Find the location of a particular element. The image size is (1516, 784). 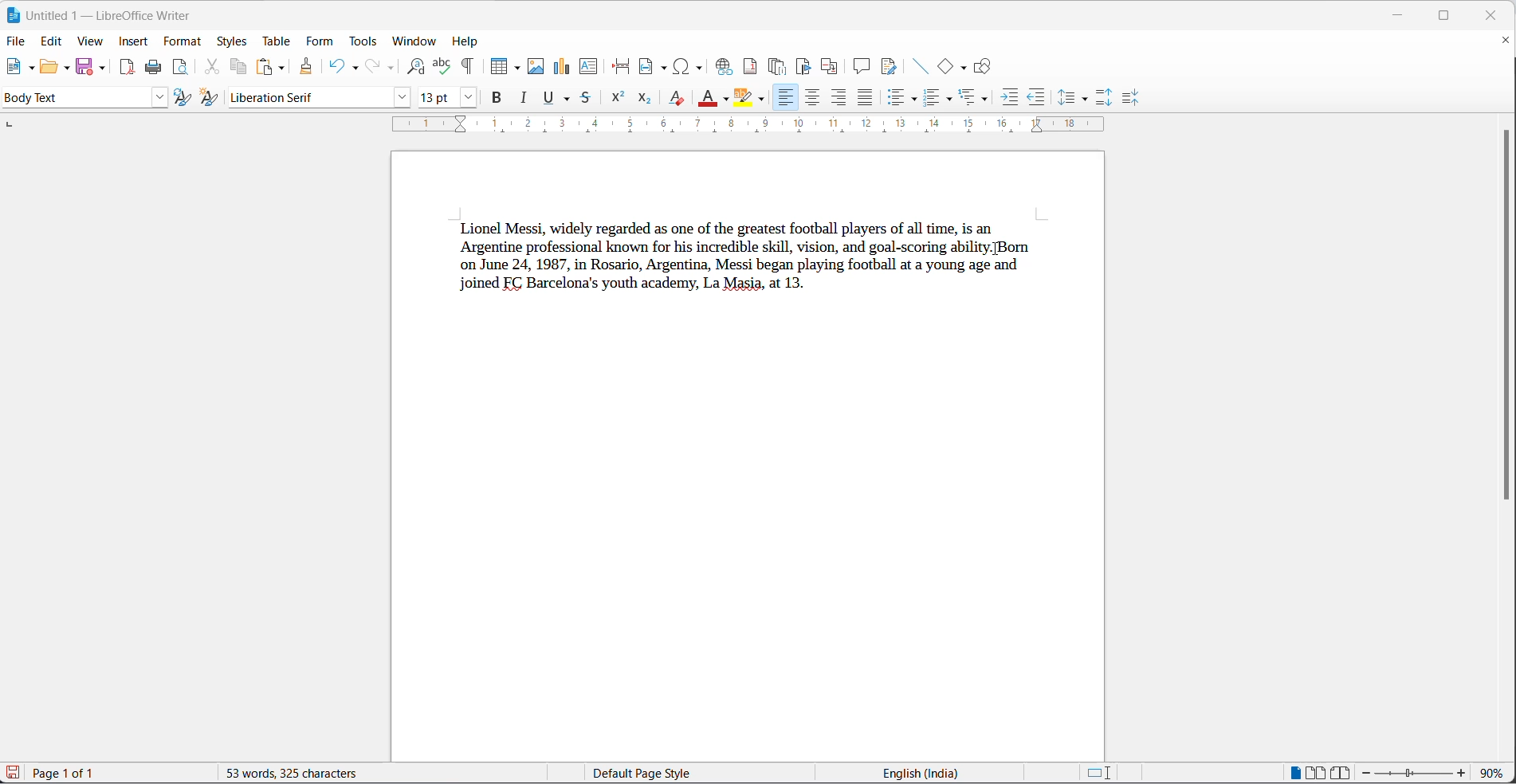

text align center is located at coordinates (812, 98).